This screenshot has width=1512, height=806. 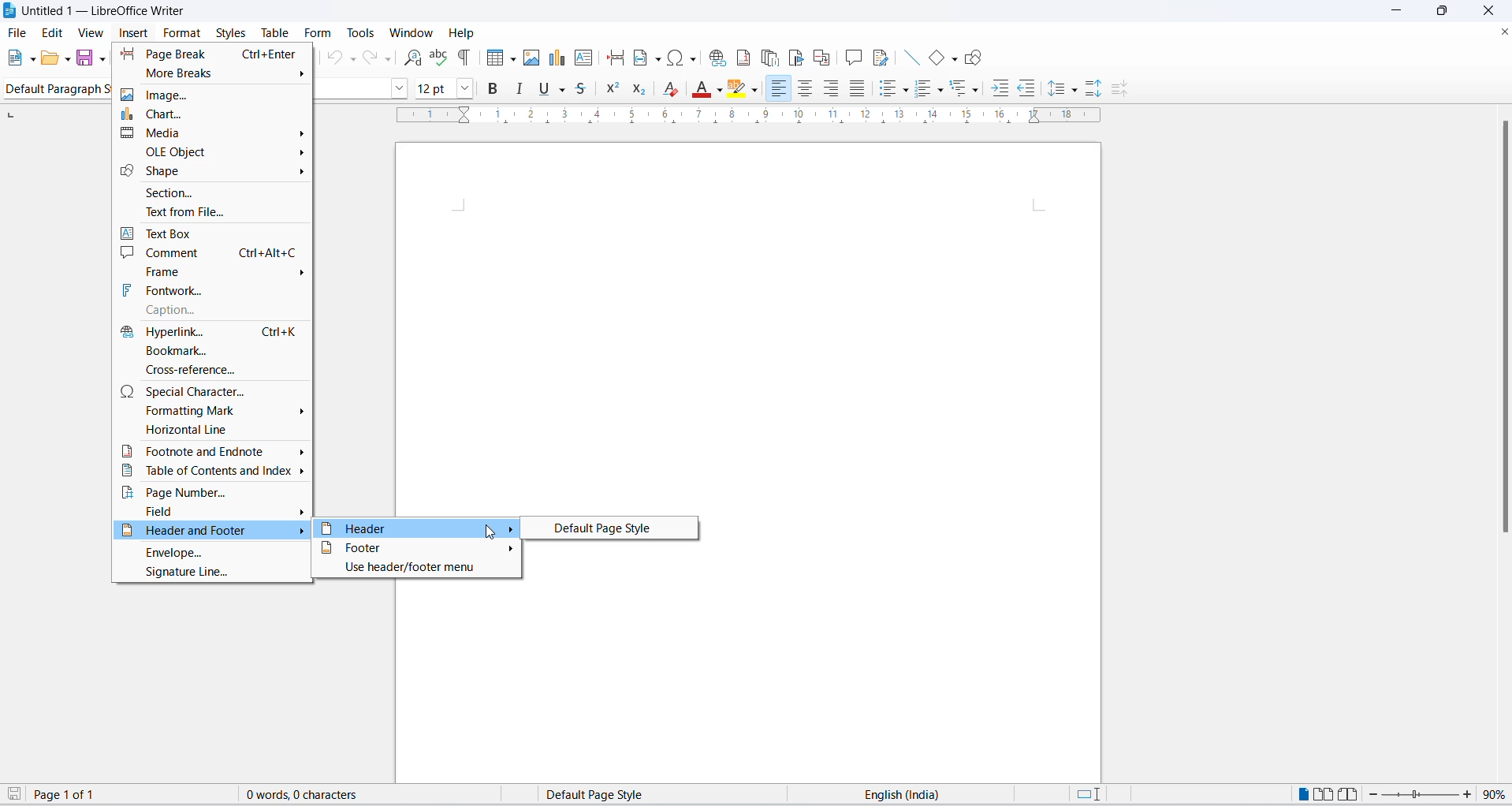 What do you see at coordinates (220, 153) in the screenshot?
I see `OLE OBJECTS` at bounding box center [220, 153].